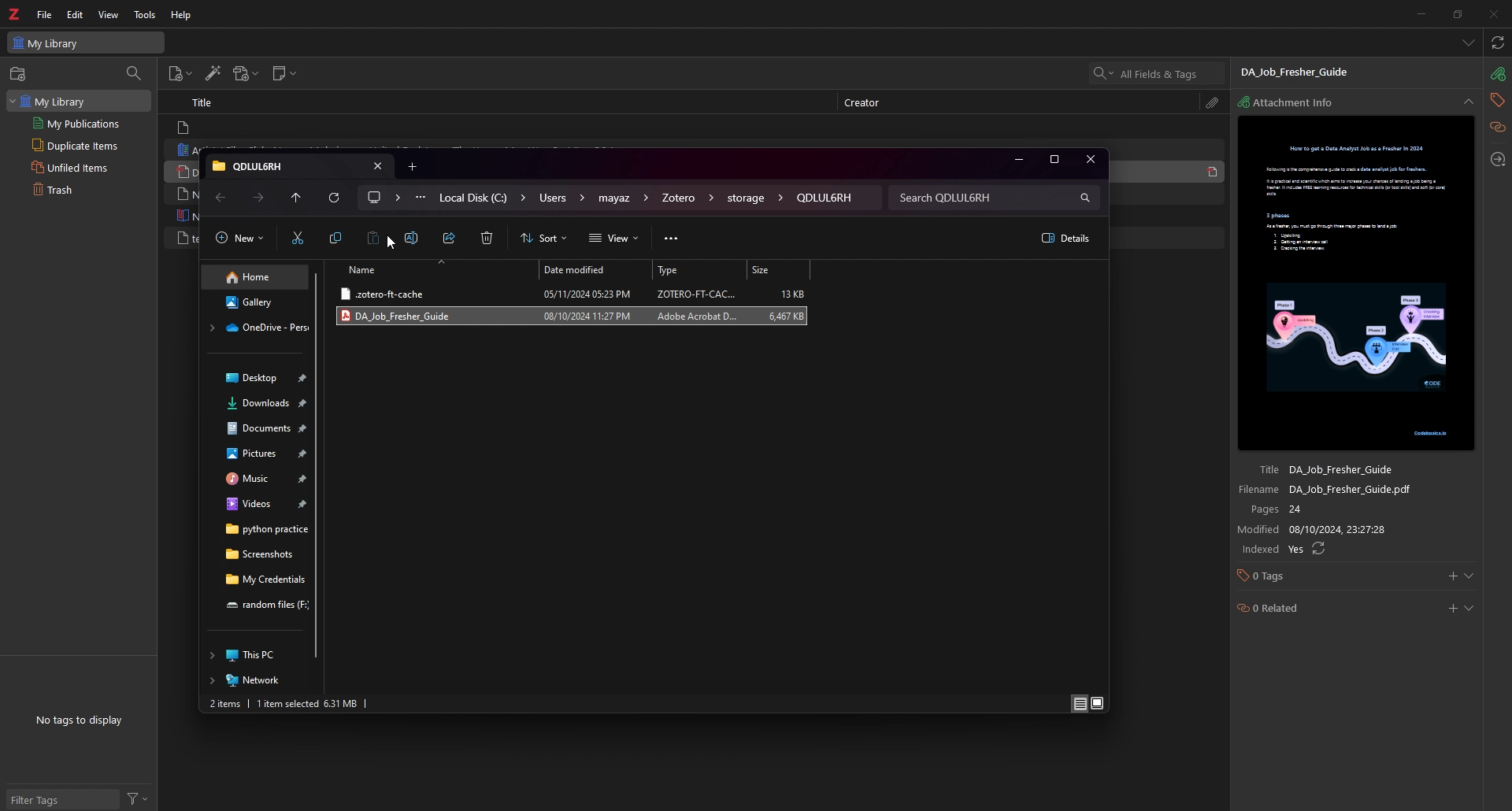 The width and height of the screenshot is (1512, 811). What do you see at coordinates (1157, 73) in the screenshot?
I see `all field and tags` at bounding box center [1157, 73].